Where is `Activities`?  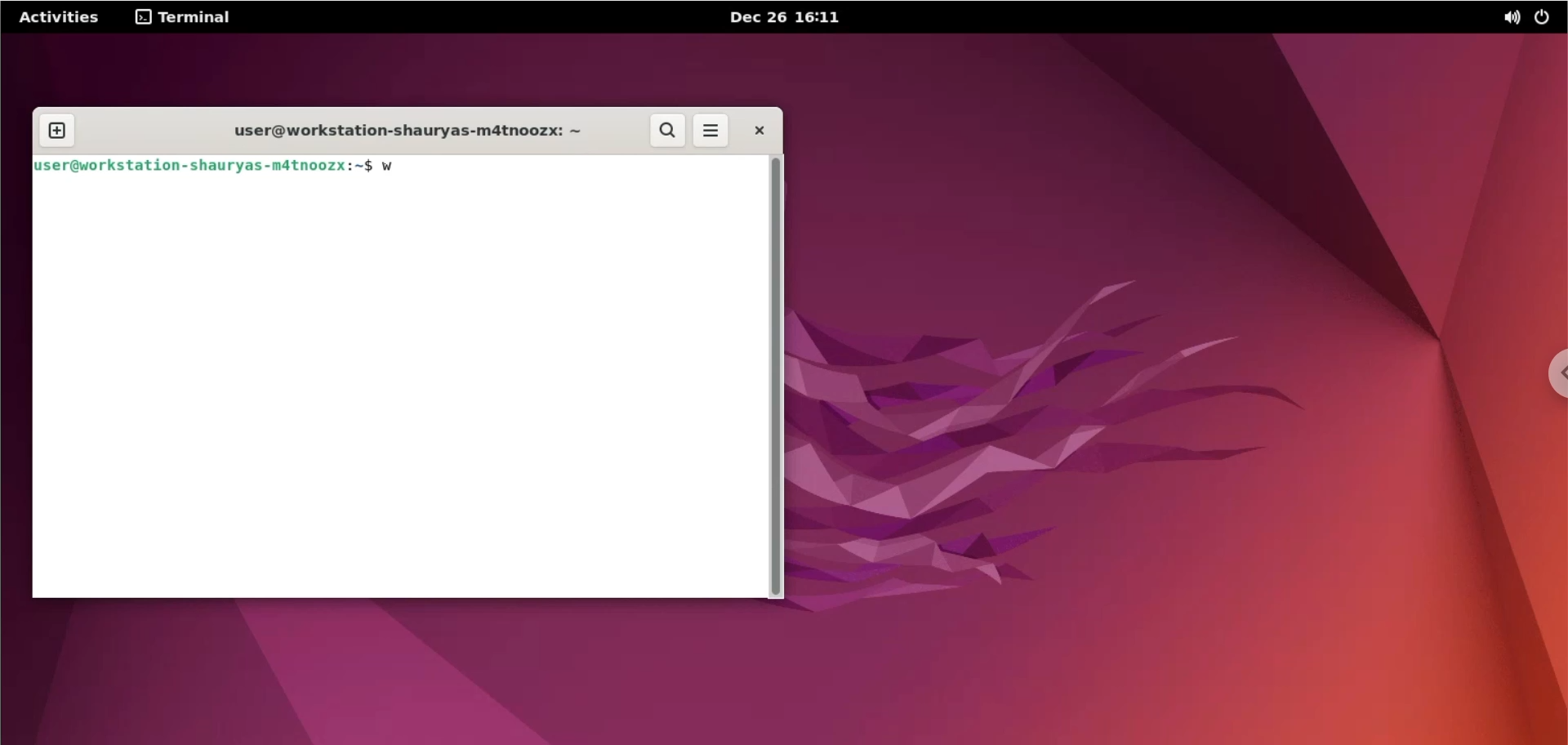 Activities is located at coordinates (60, 17).